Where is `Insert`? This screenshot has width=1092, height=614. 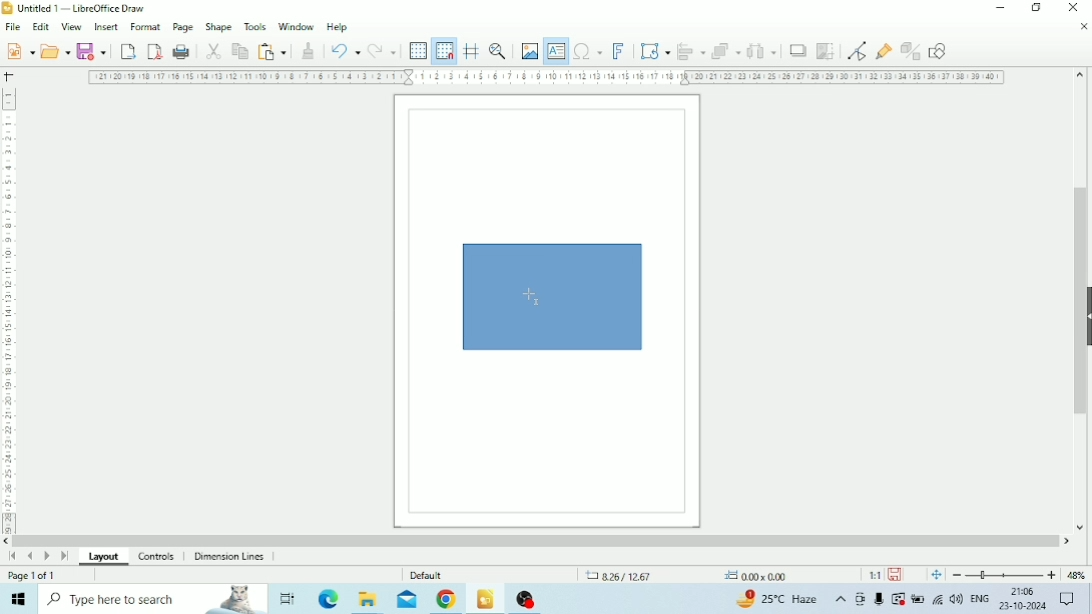 Insert is located at coordinates (106, 26).